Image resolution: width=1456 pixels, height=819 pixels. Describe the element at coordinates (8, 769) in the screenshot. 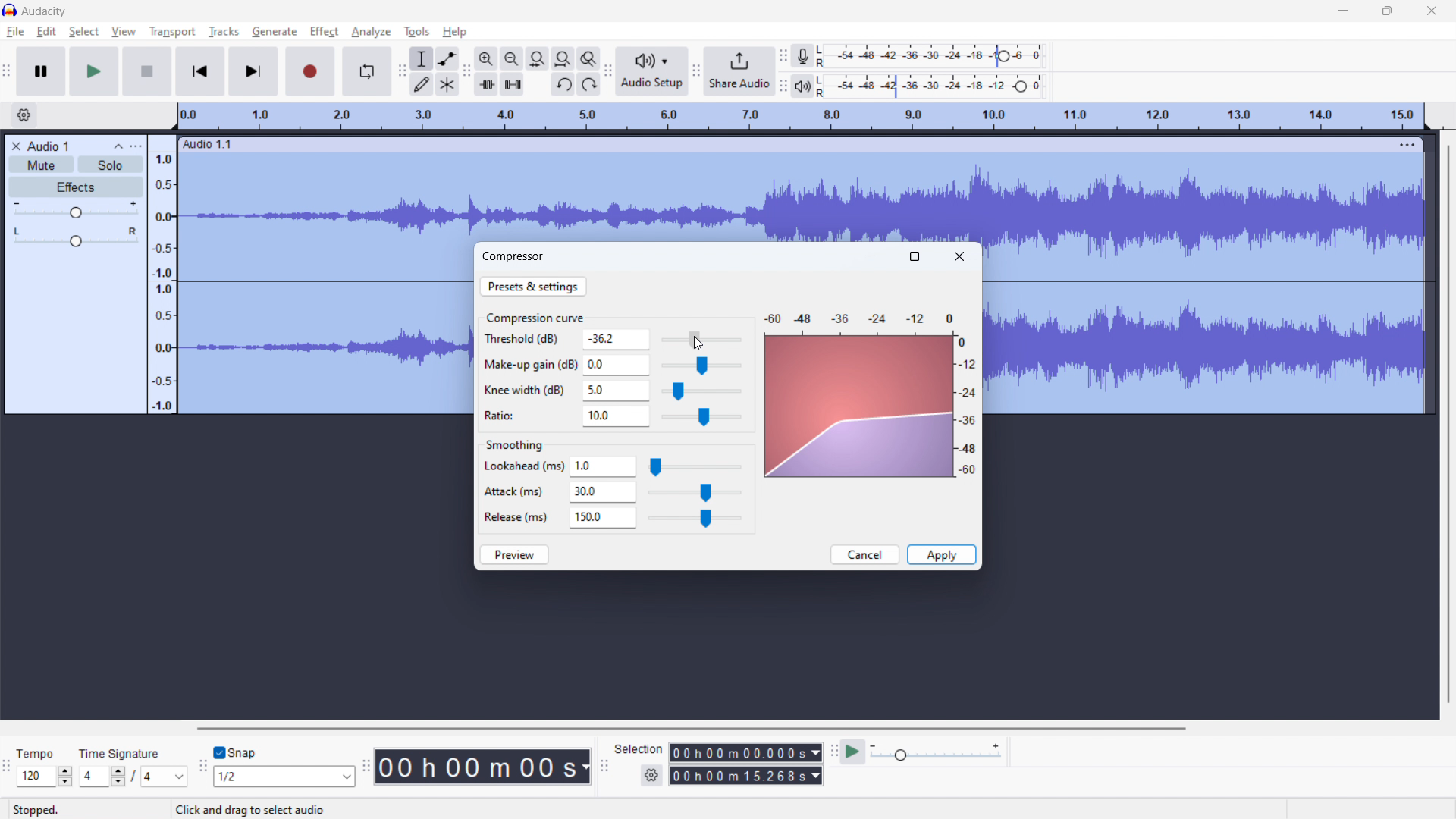

I see `time signature toolbar` at that location.